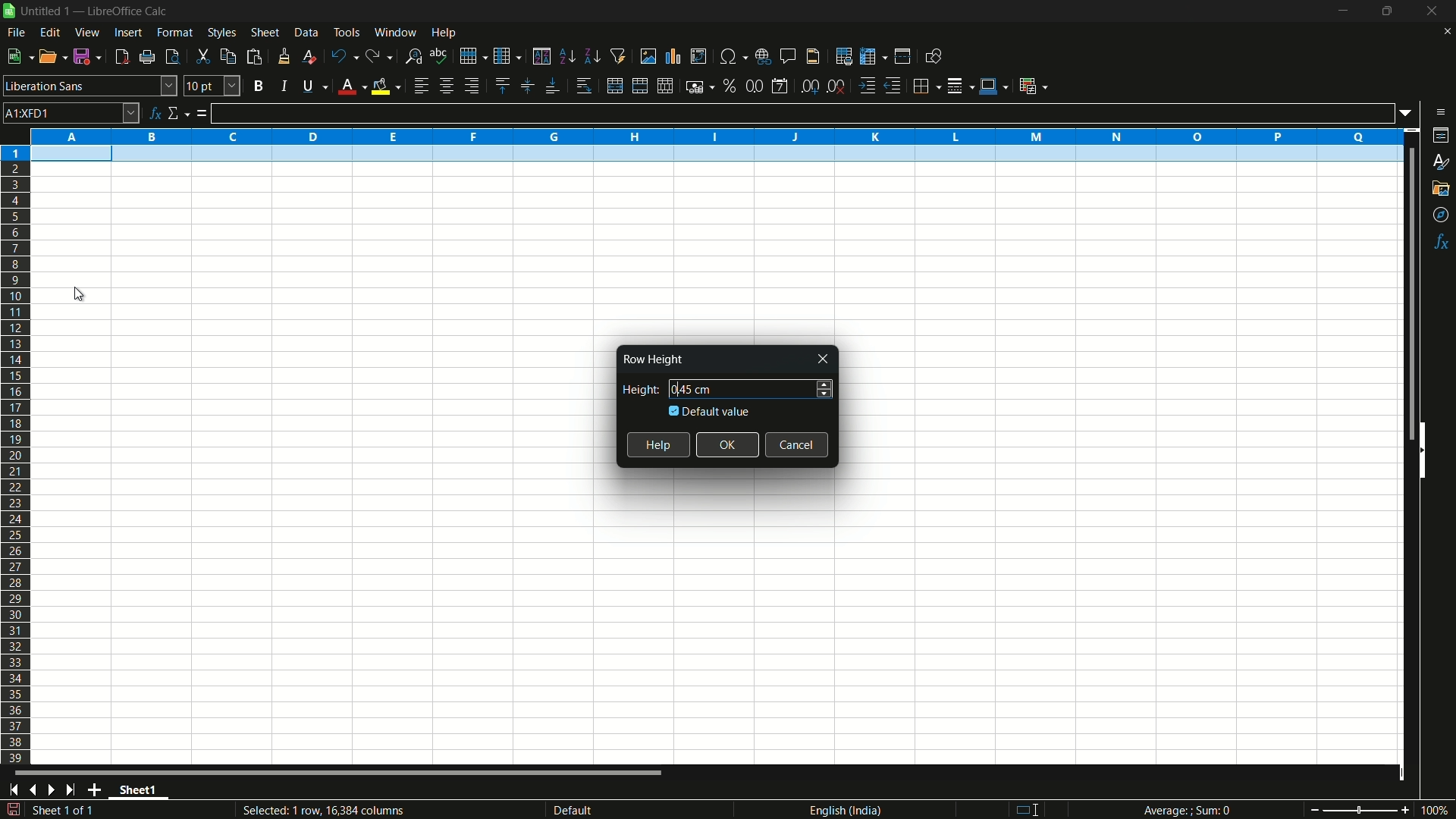  Describe the element at coordinates (50, 32) in the screenshot. I see `edit menu` at that location.